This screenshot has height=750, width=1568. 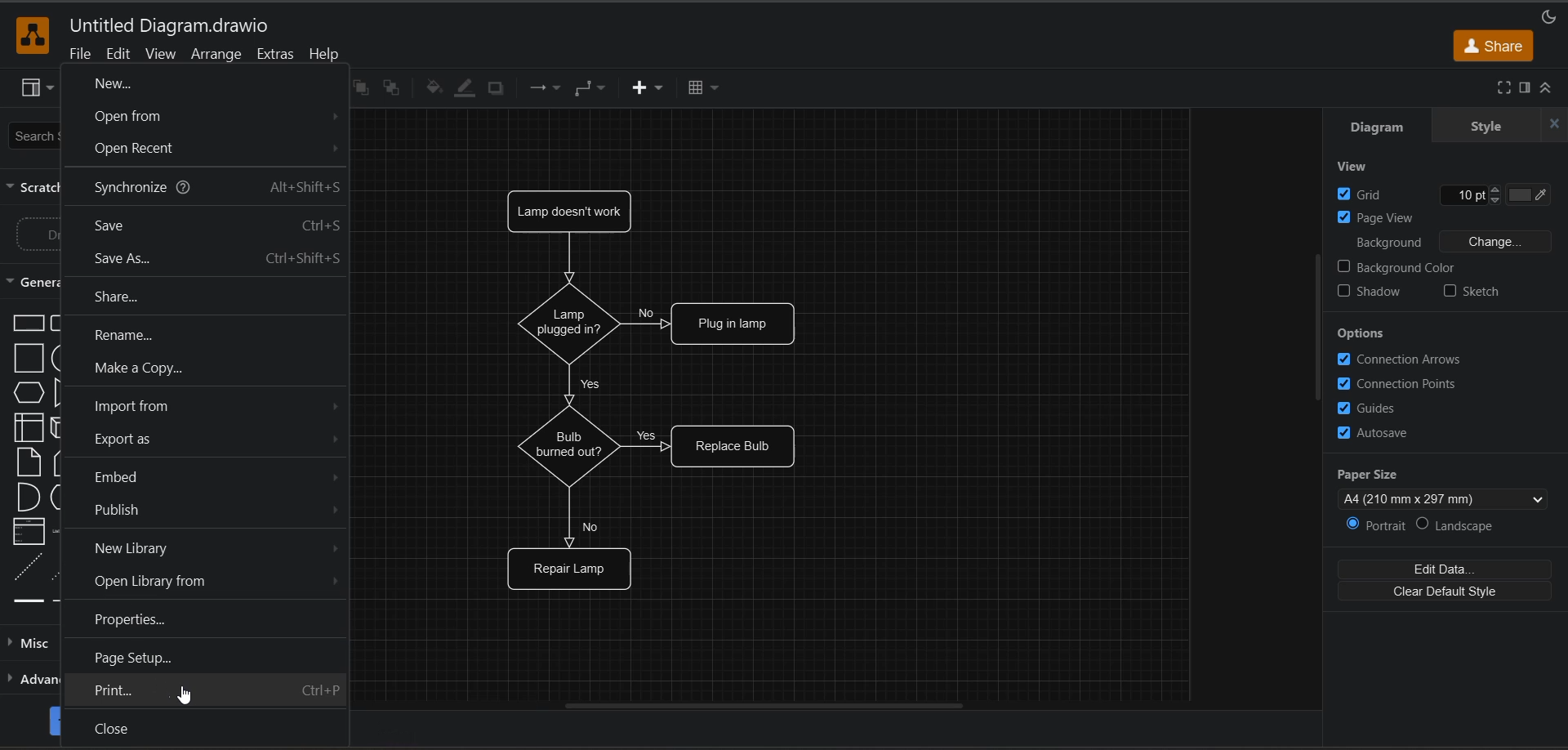 What do you see at coordinates (1366, 525) in the screenshot?
I see `portrait` at bounding box center [1366, 525].